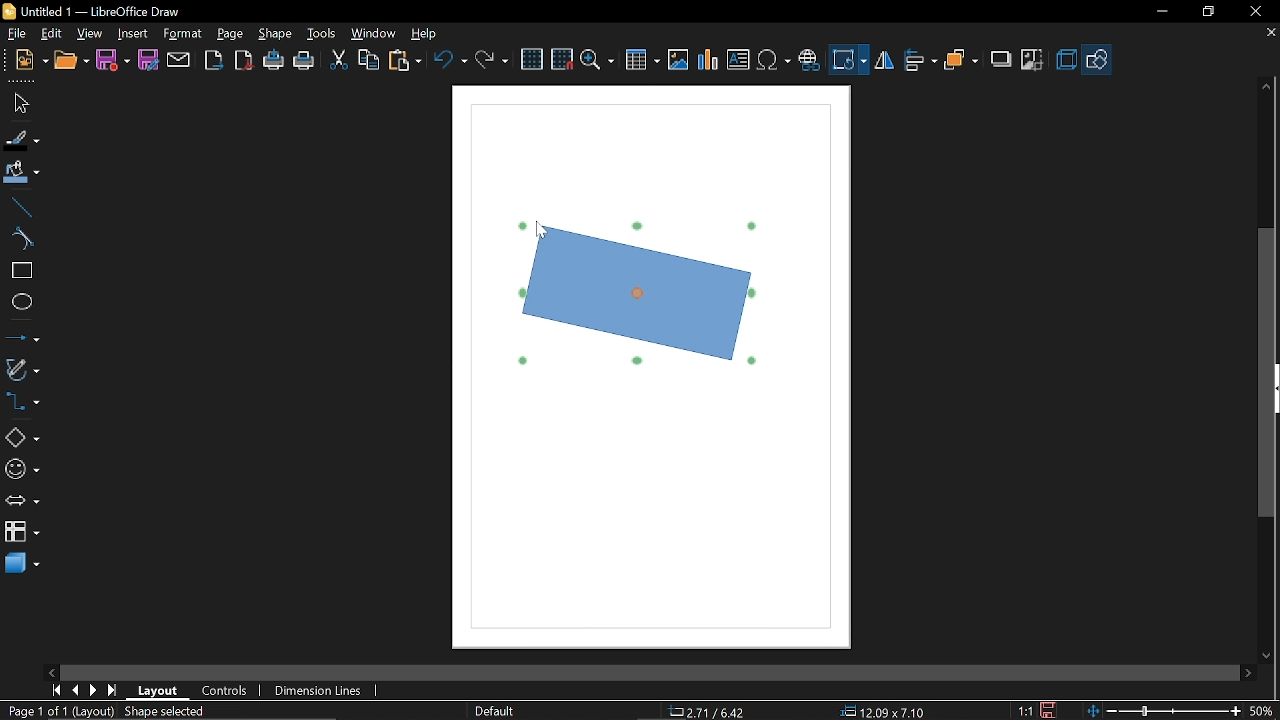 The image size is (1280, 720). Describe the element at coordinates (112, 60) in the screenshot. I see `Save` at that location.